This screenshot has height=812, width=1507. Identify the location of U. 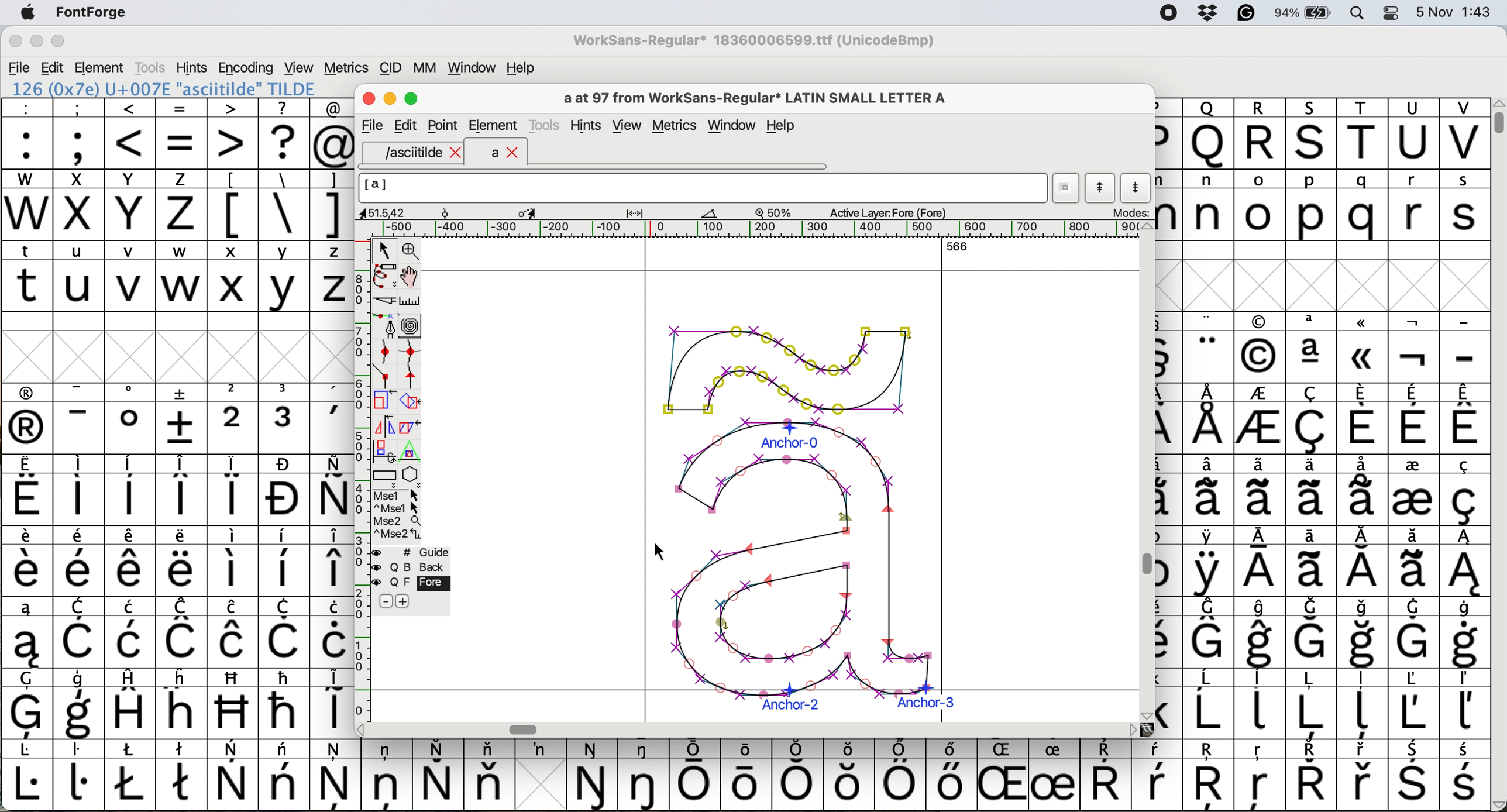
(1413, 134).